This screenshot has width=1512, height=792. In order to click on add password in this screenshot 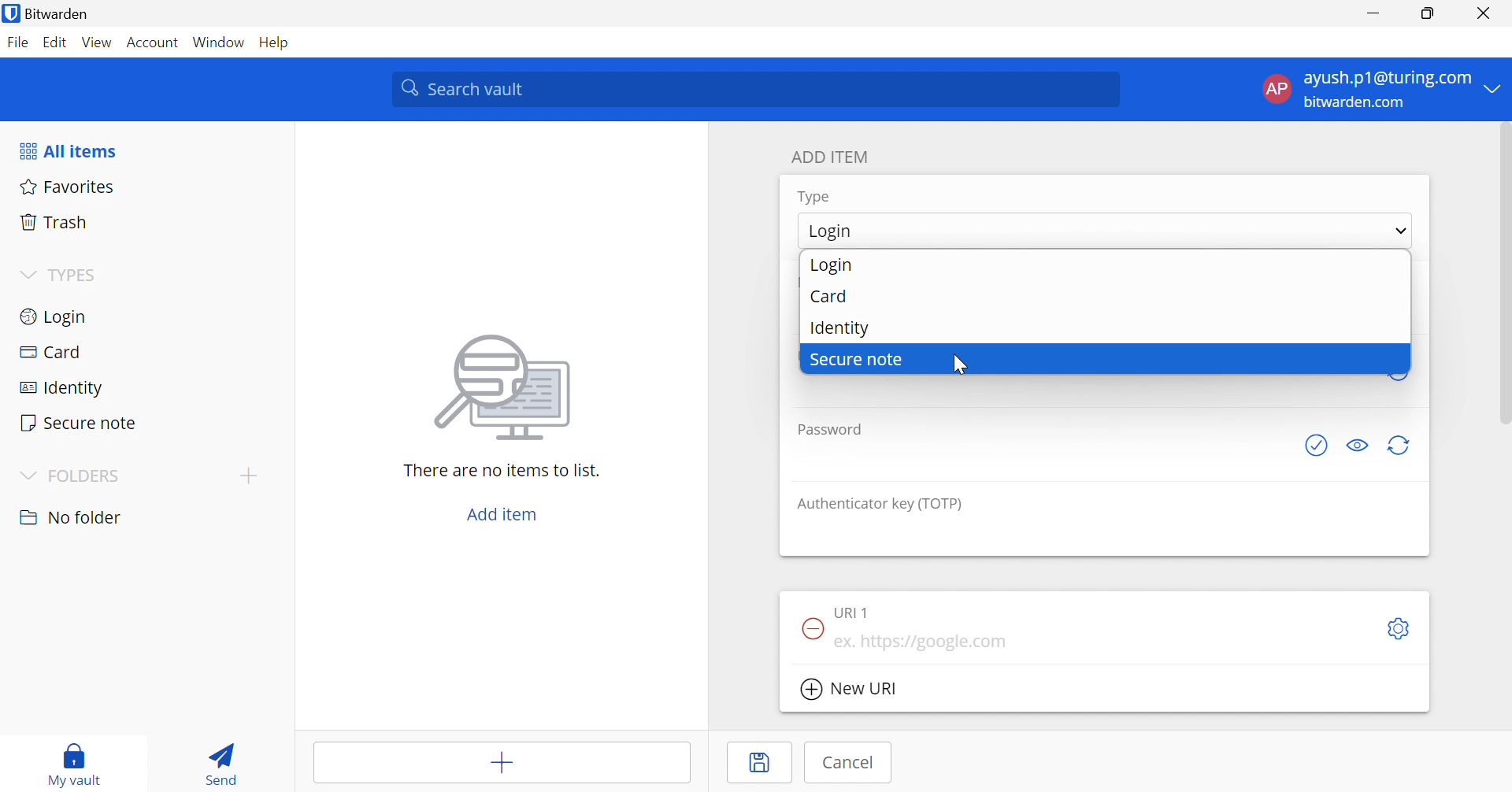, I will do `click(1041, 459)`.